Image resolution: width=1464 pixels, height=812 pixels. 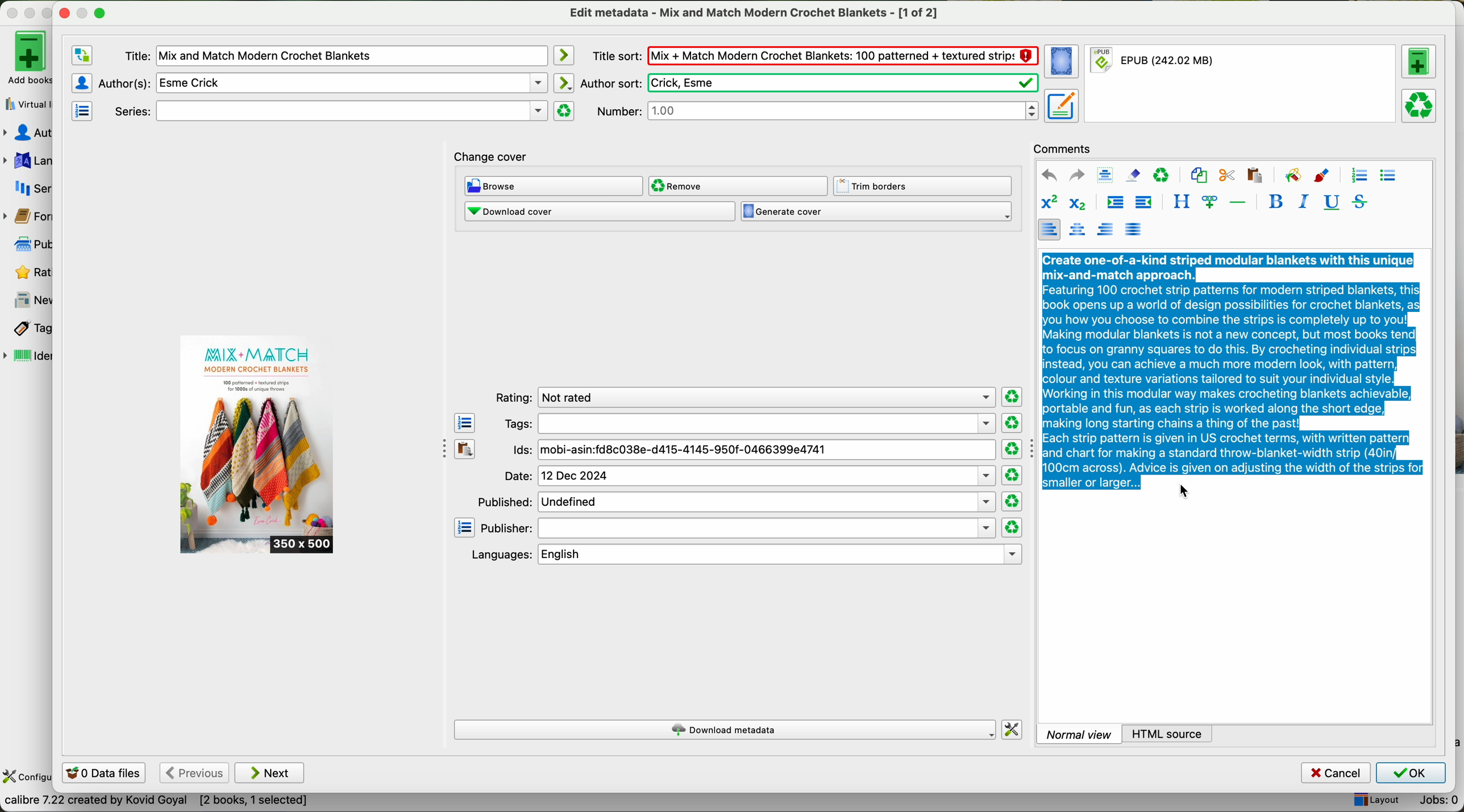 What do you see at coordinates (1013, 502) in the screenshot?
I see `clear rating` at bounding box center [1013, 502].